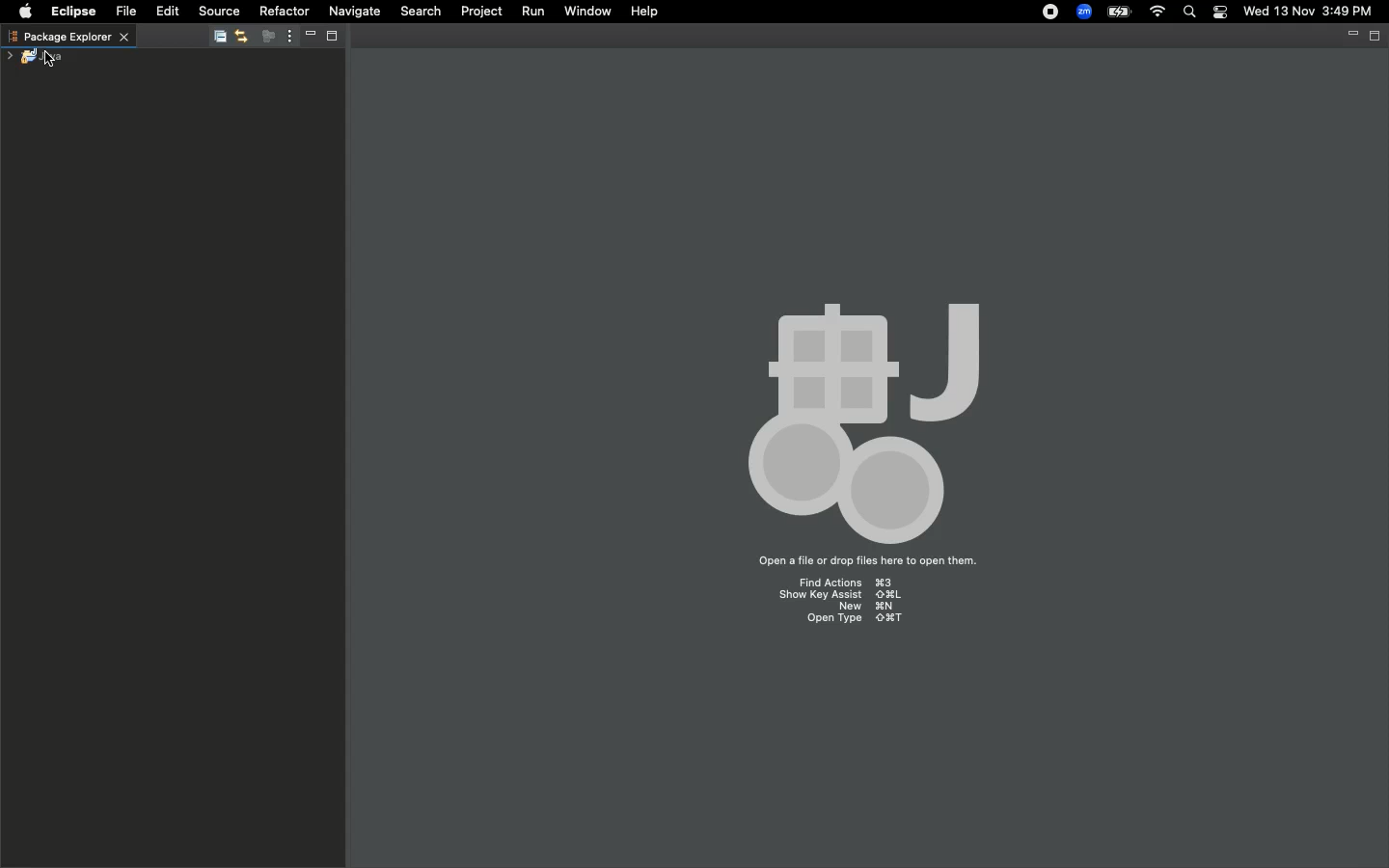 The width and height of the screenshot is (1389, 868). Describe the element at coordinates (68, 36) in the screenshot. I see `Package explorer` at that location.